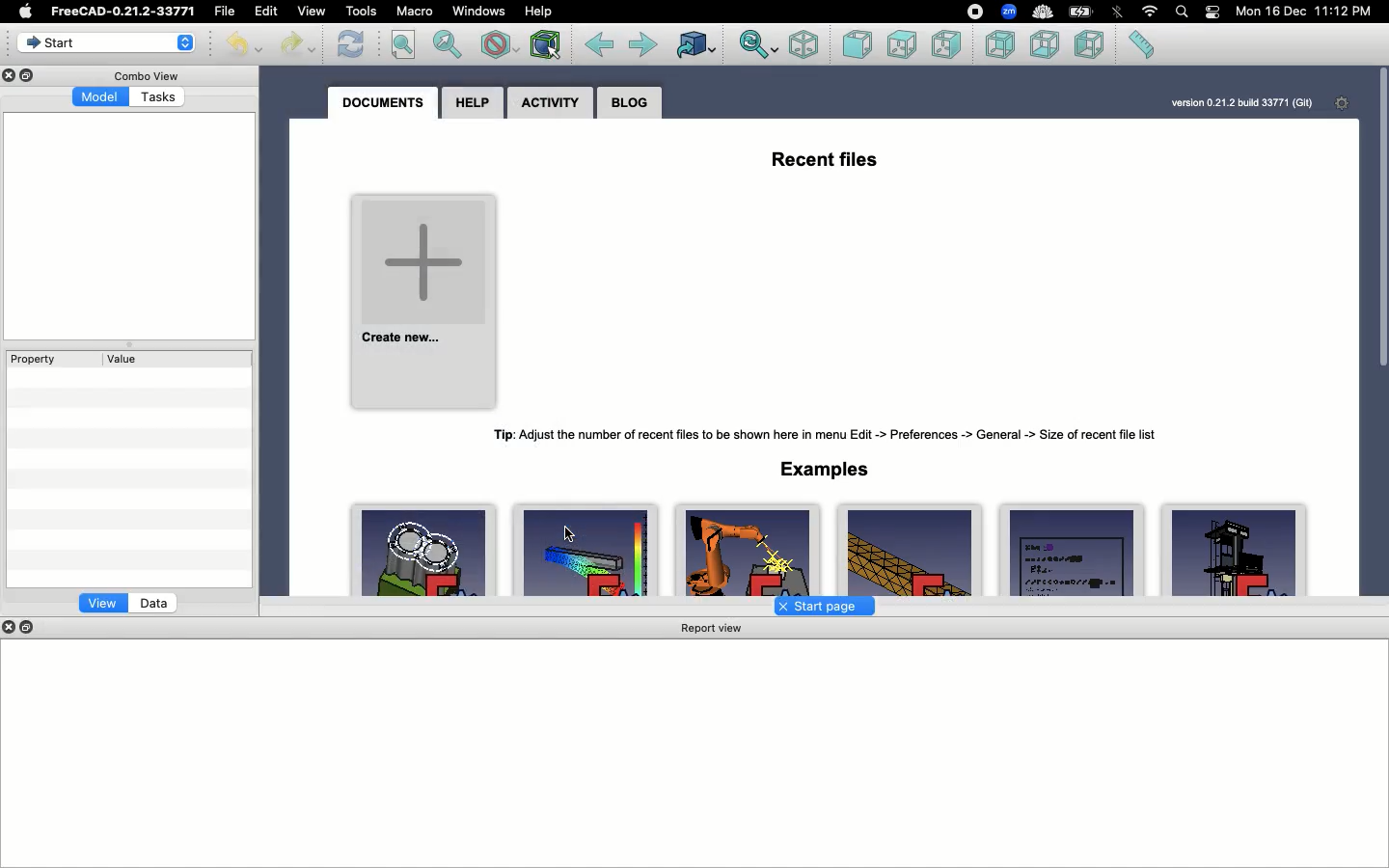  Describe the element at coordinates (1118, 15) in the screenshot. I see `Bluetooth` at that location.